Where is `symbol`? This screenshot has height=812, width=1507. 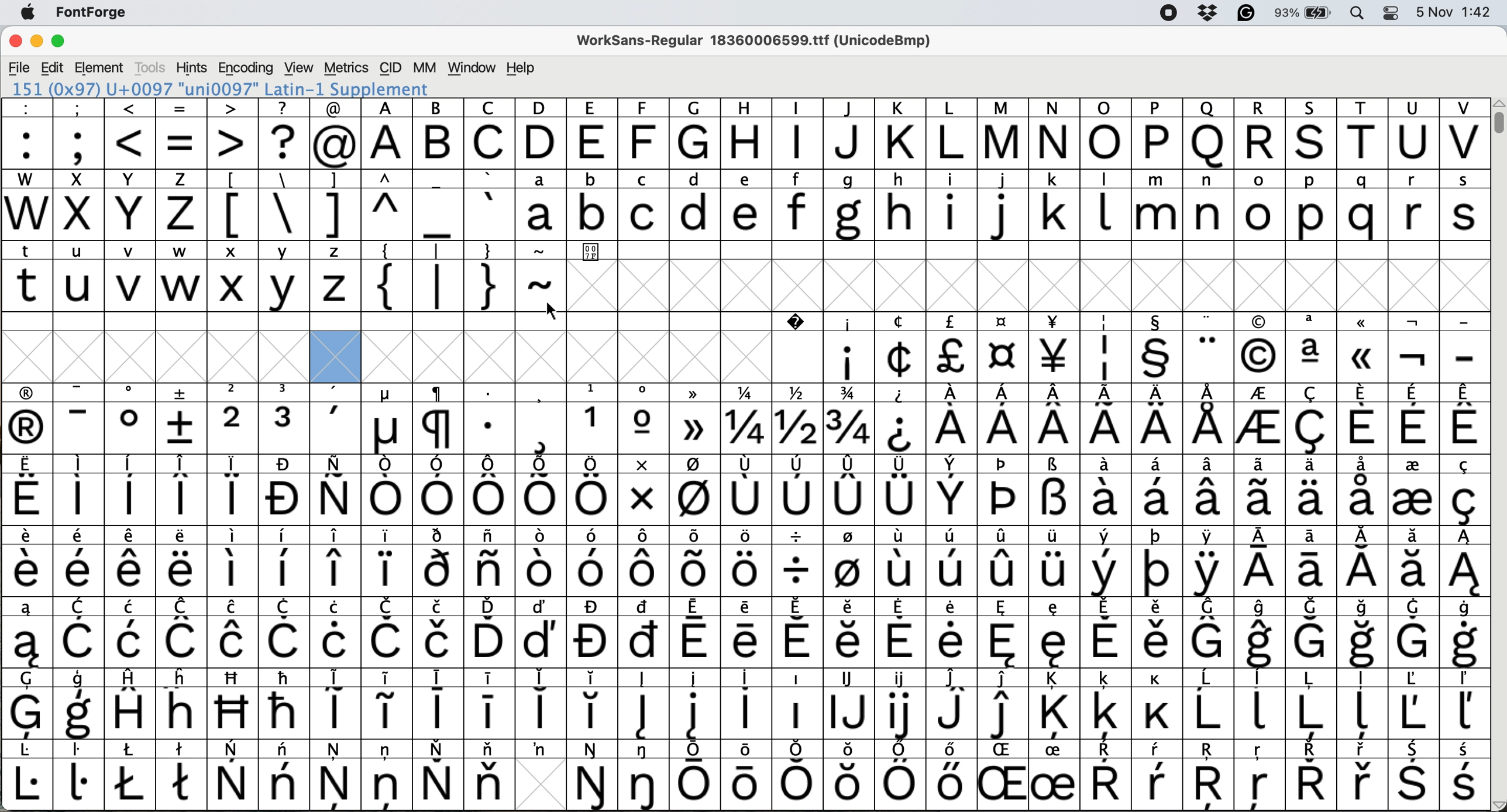
symbol is located at coordinates (336, 701).